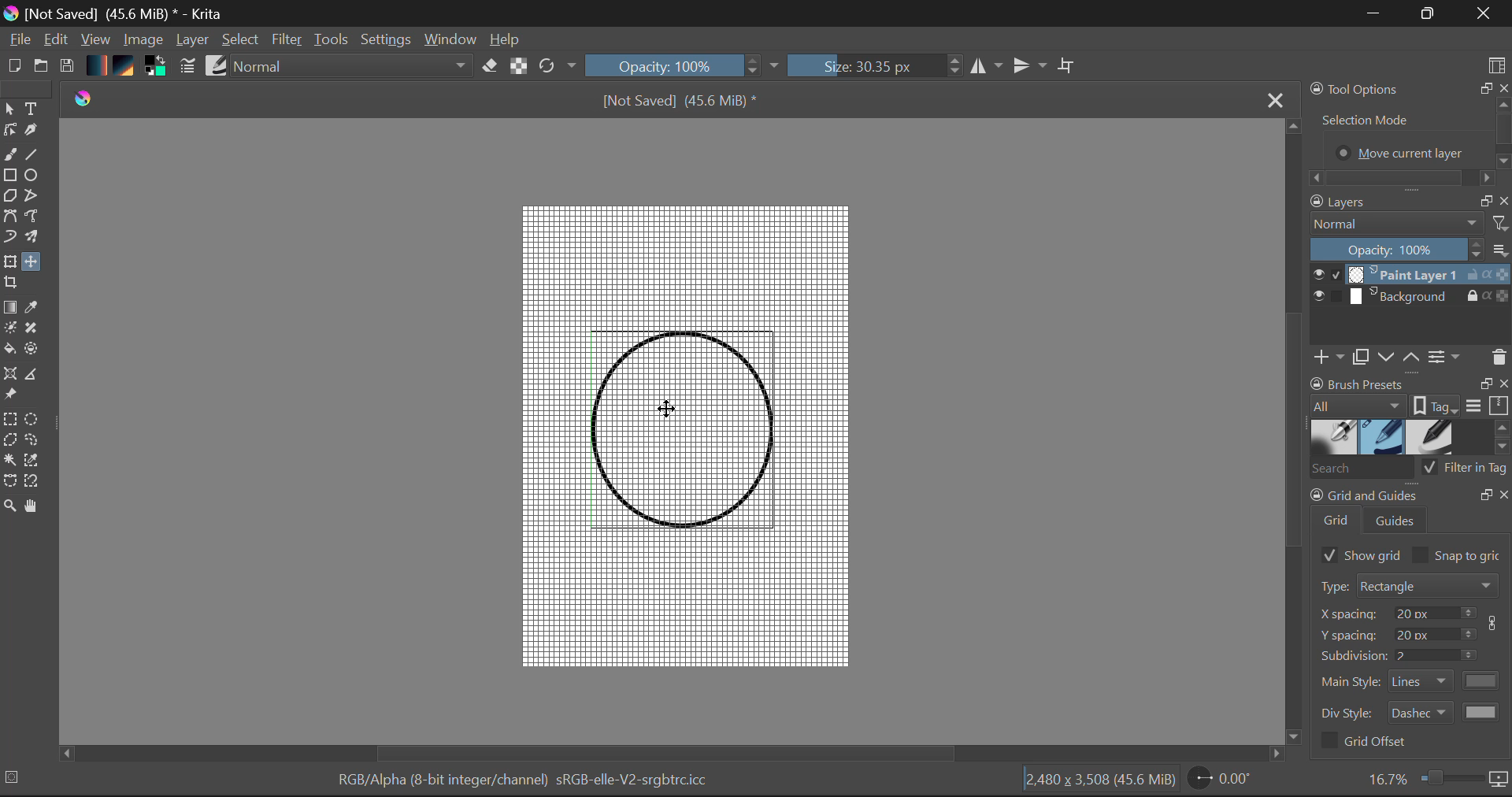 This screenshot has height=797, width=1512. I want to click on Brush Presets, so click(217, 67).